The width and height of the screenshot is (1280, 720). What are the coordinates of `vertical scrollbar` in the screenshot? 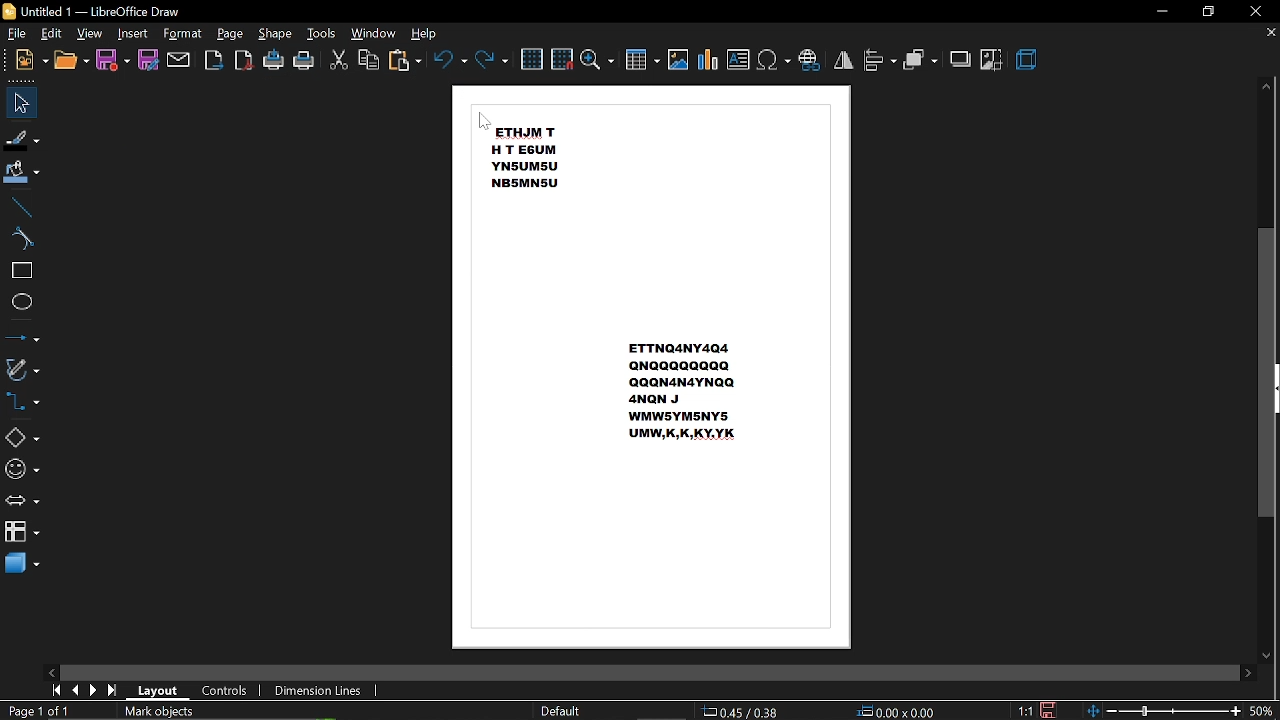 It's located at (1267, 371).